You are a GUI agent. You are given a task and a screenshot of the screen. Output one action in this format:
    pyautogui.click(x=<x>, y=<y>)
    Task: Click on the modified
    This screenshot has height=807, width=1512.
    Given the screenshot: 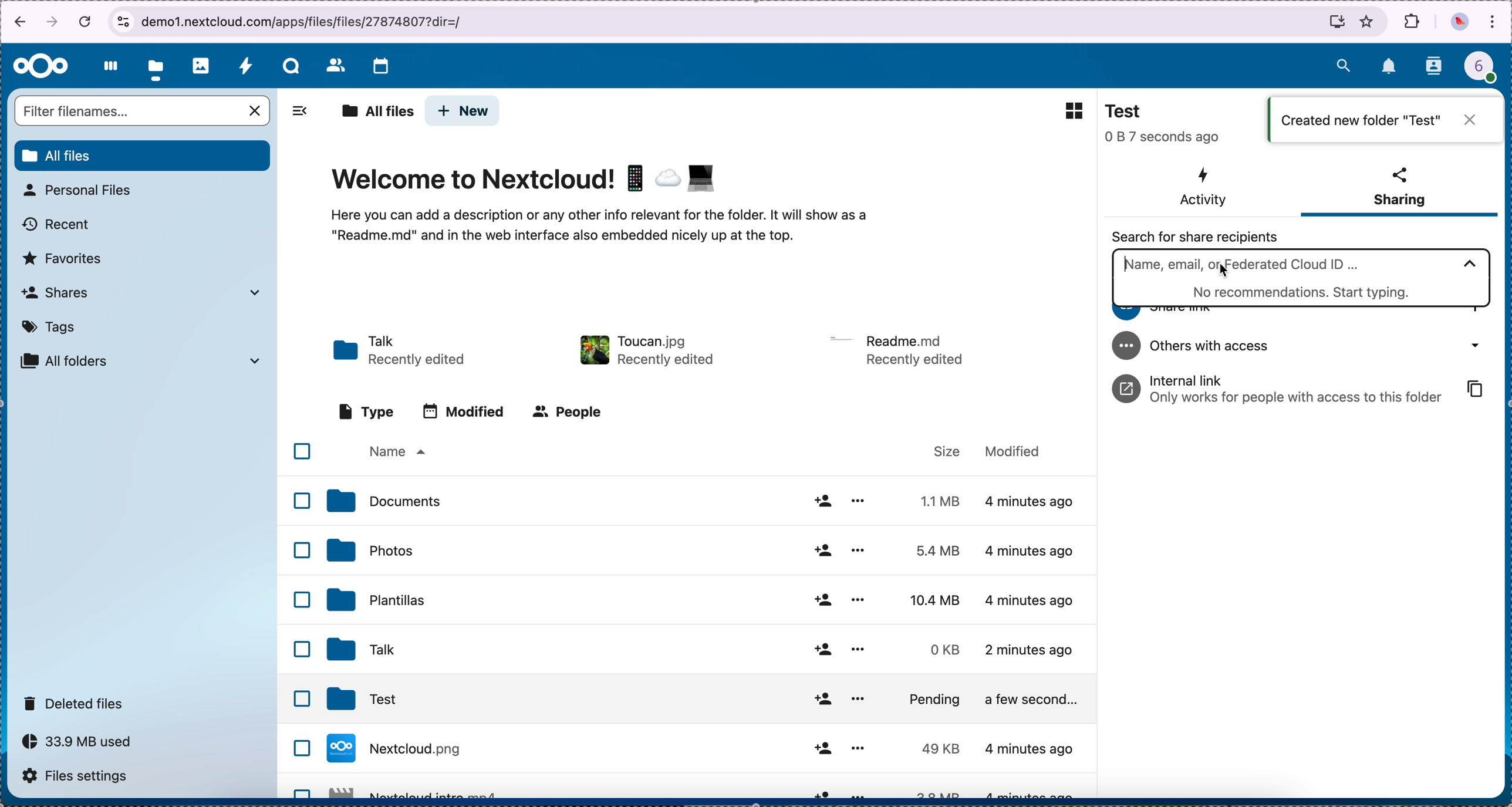 What is the action you would take?
    pyautogui.click(x=468, y=413)
    